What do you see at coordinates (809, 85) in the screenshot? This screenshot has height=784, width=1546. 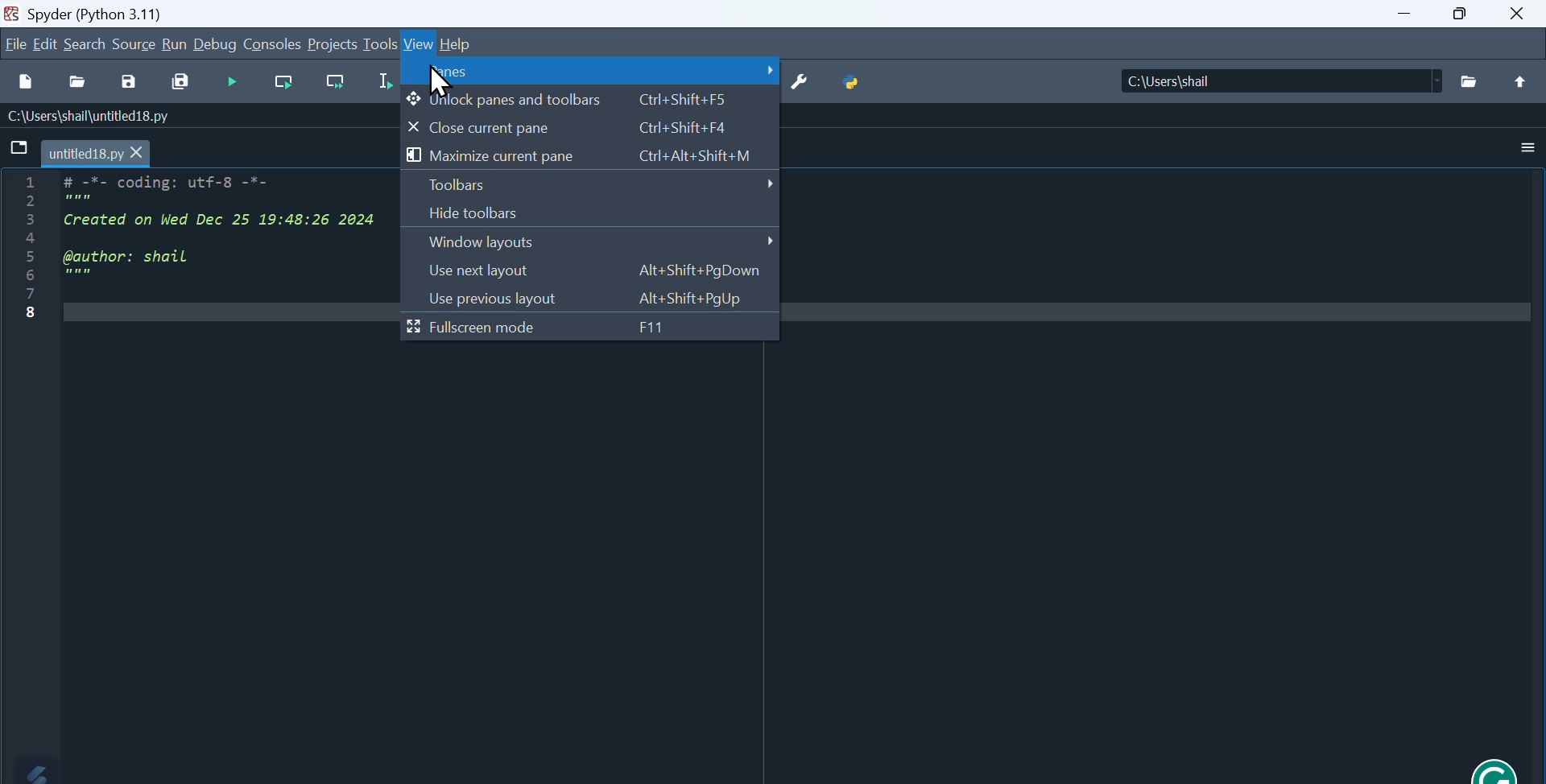 I see `Preferences` at bounding box center [809, 85].